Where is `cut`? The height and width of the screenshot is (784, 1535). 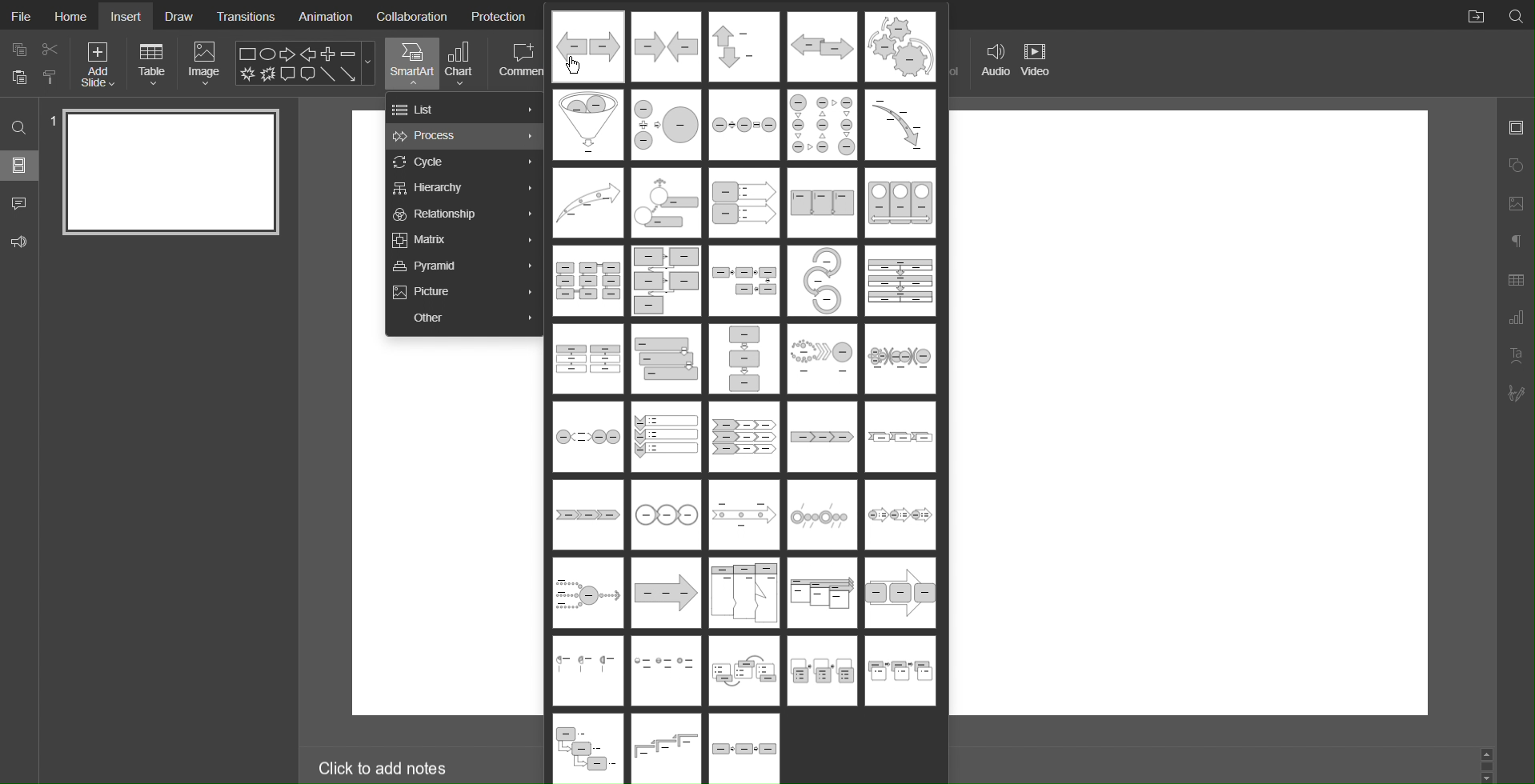 cut is located at coordinates (51, 48).